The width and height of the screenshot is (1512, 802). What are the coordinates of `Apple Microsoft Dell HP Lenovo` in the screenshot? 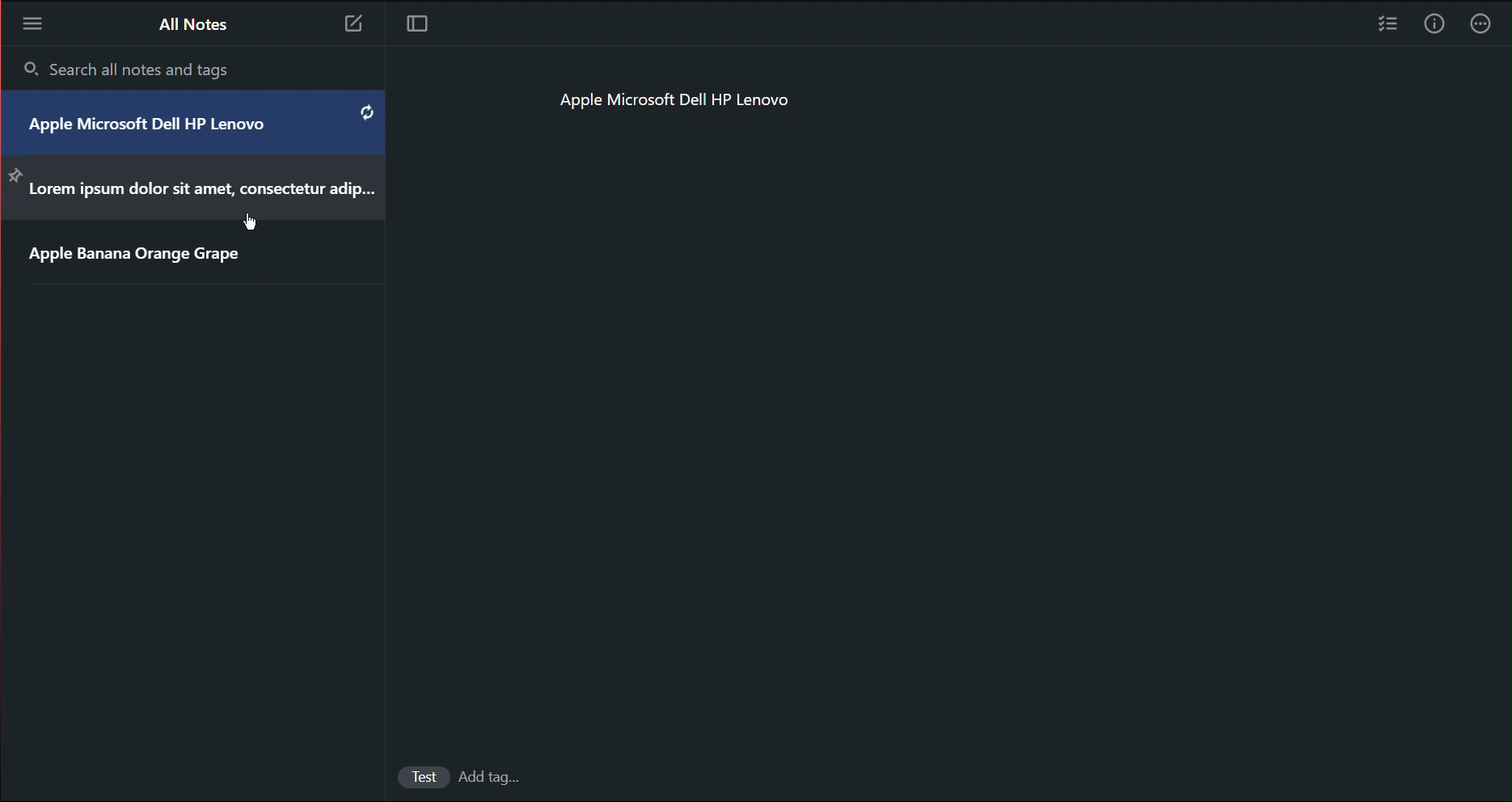 It's located at (163, 125).